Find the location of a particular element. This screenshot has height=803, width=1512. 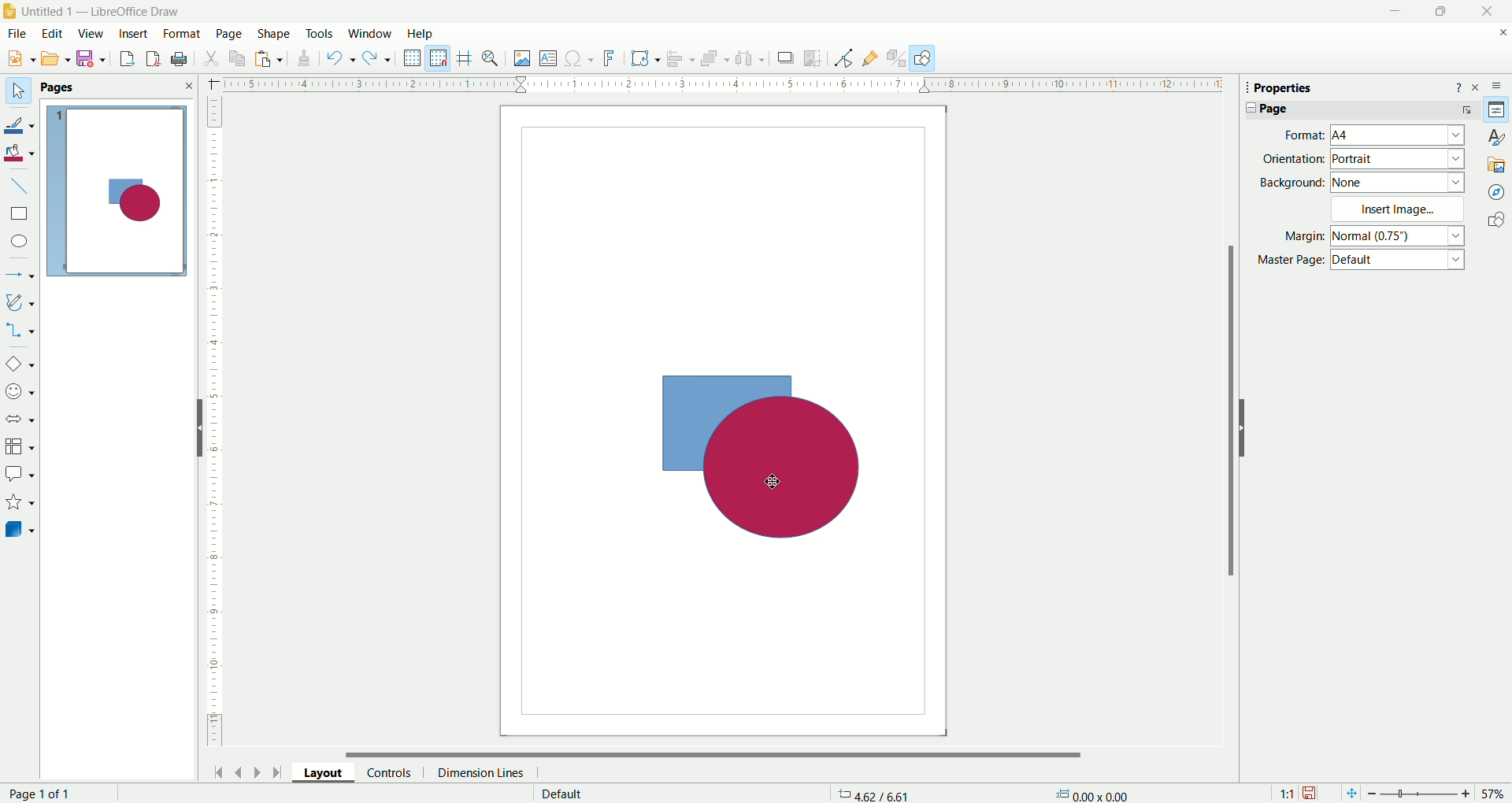

background is located at coordinates (1362, 184).